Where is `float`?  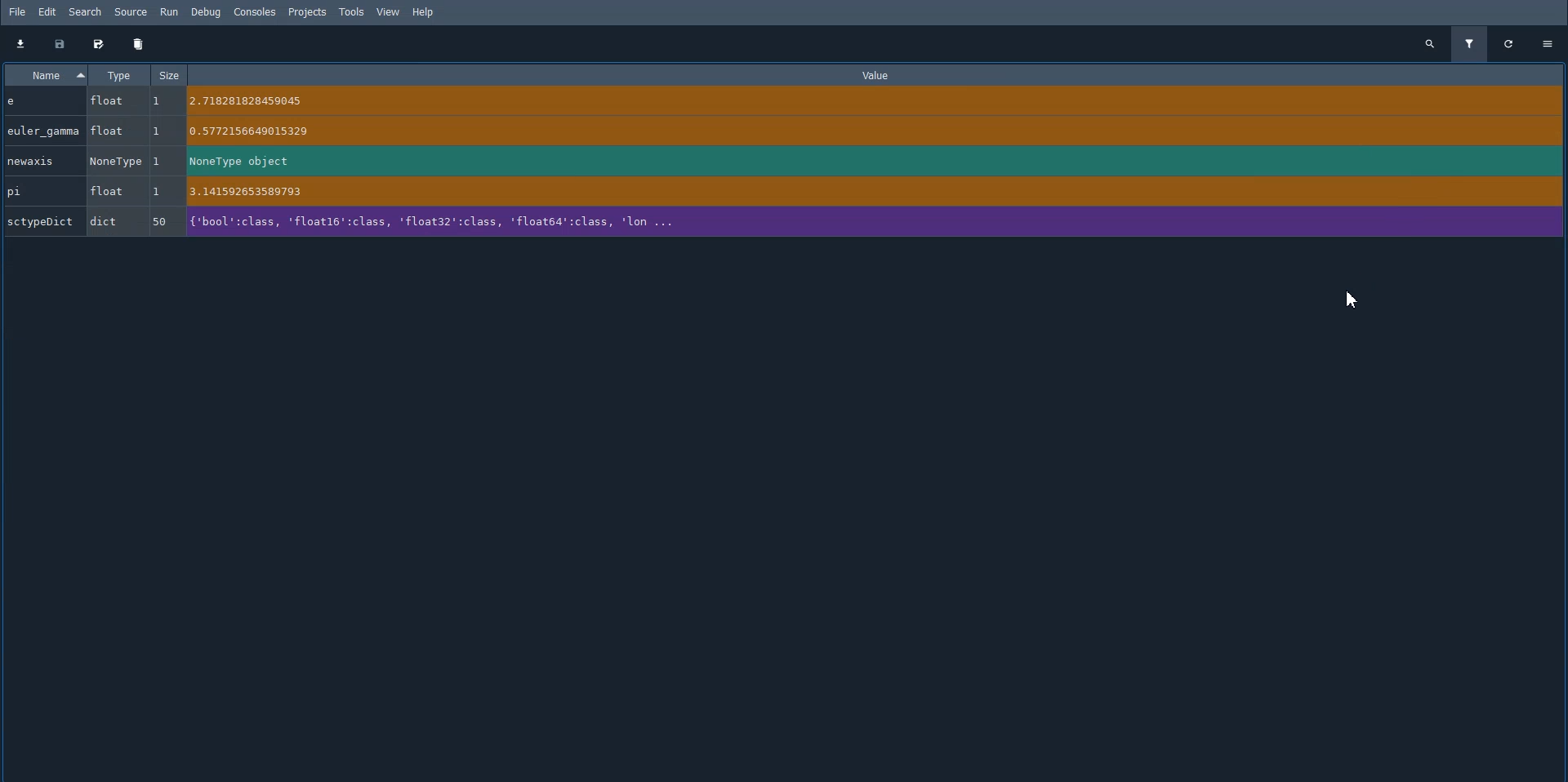 float is located at coordinates (109, 100).